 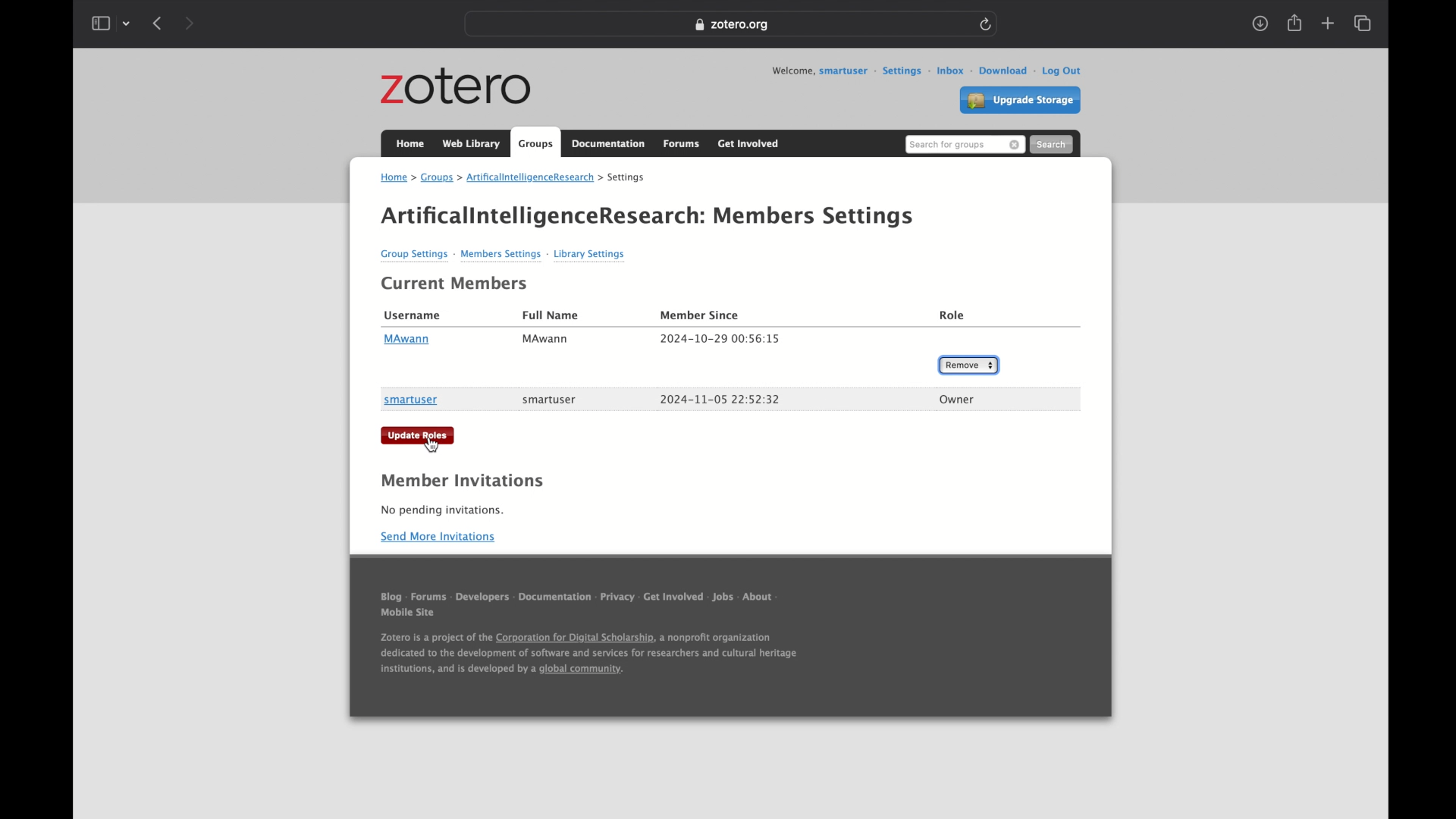 I want to click on developers, so click(x=483, y=601).